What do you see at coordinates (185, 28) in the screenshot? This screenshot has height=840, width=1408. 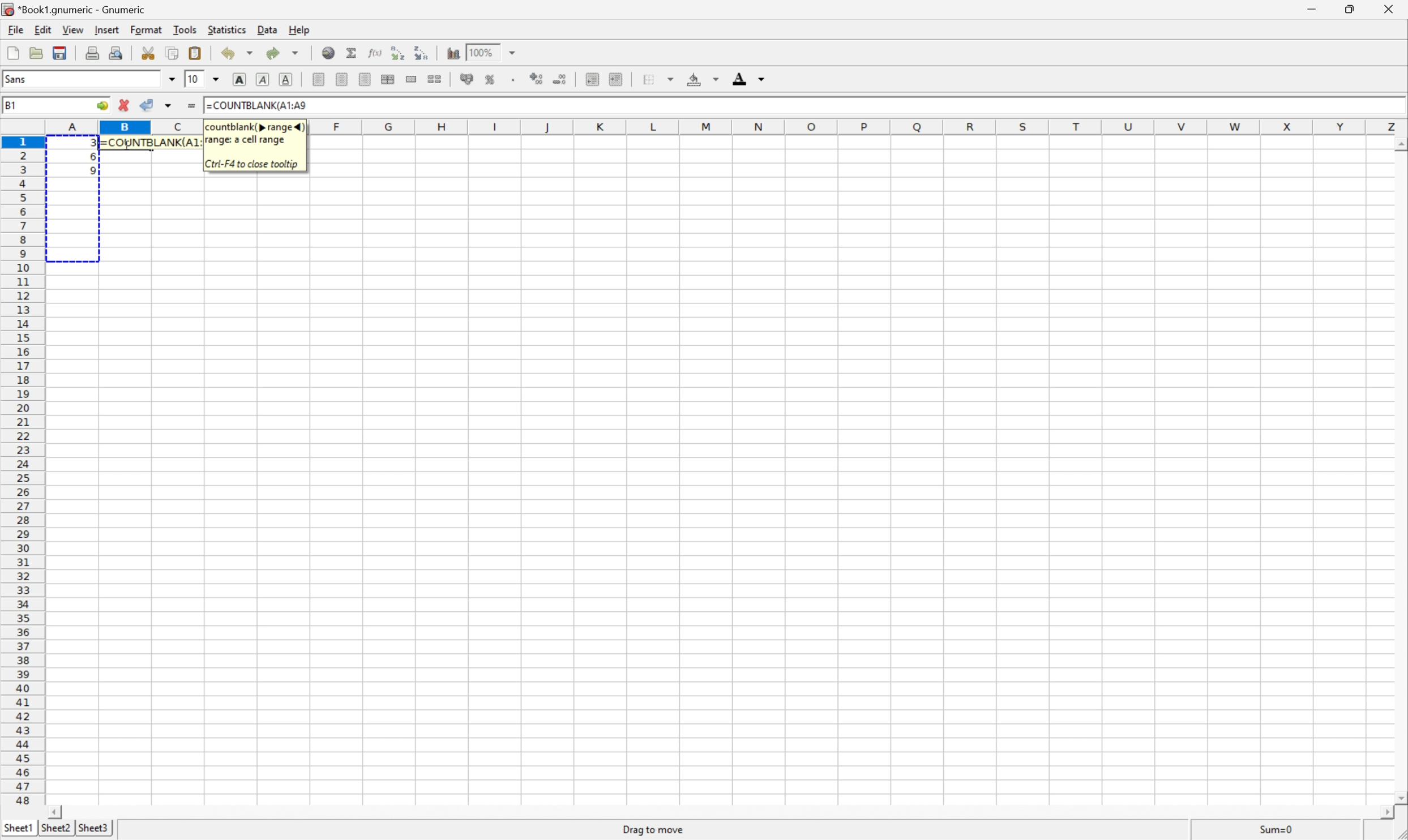 I see `Tools` at bounding box center [185, 28].